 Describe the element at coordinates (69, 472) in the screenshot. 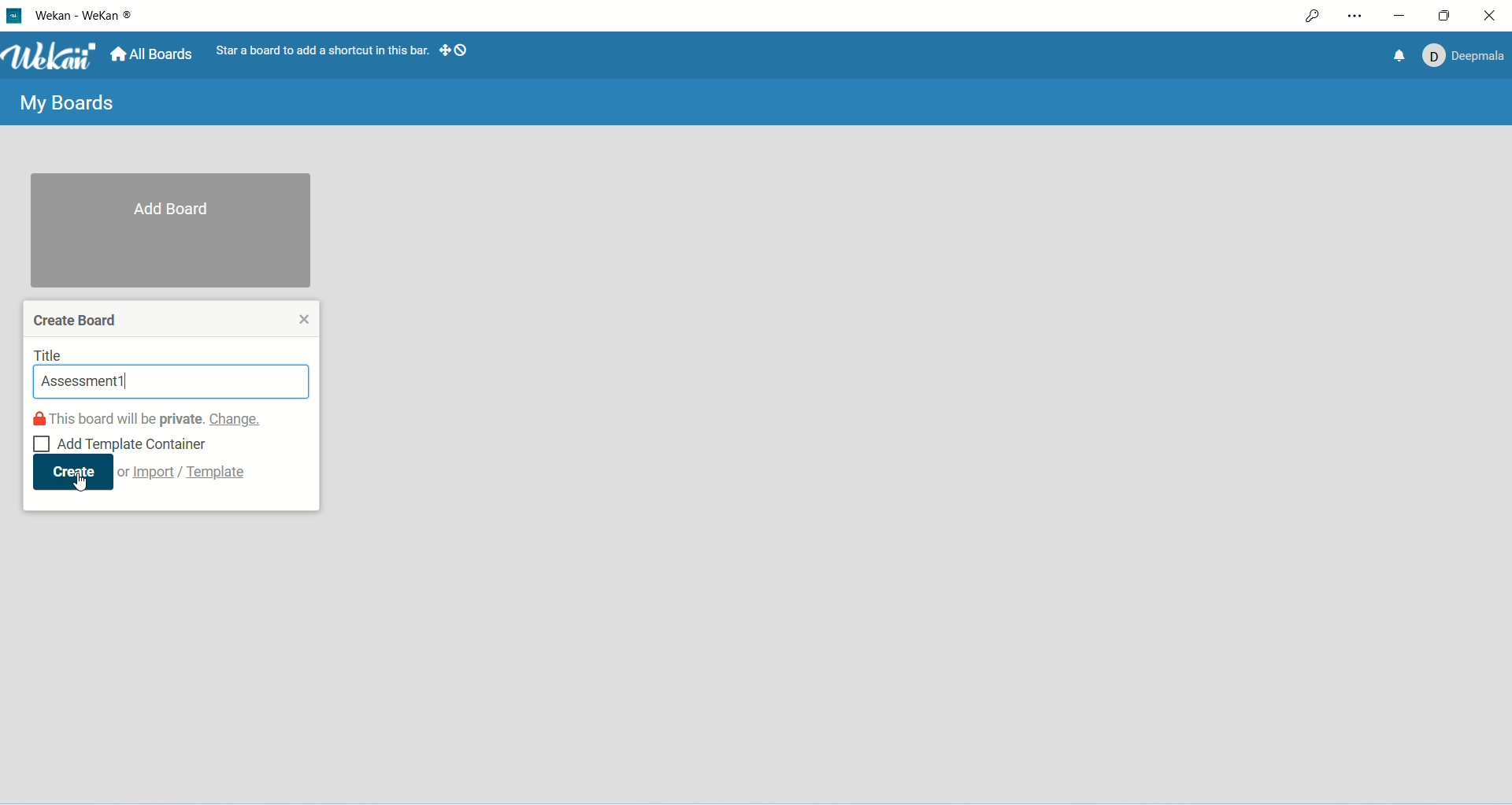

I see `create` at that location.